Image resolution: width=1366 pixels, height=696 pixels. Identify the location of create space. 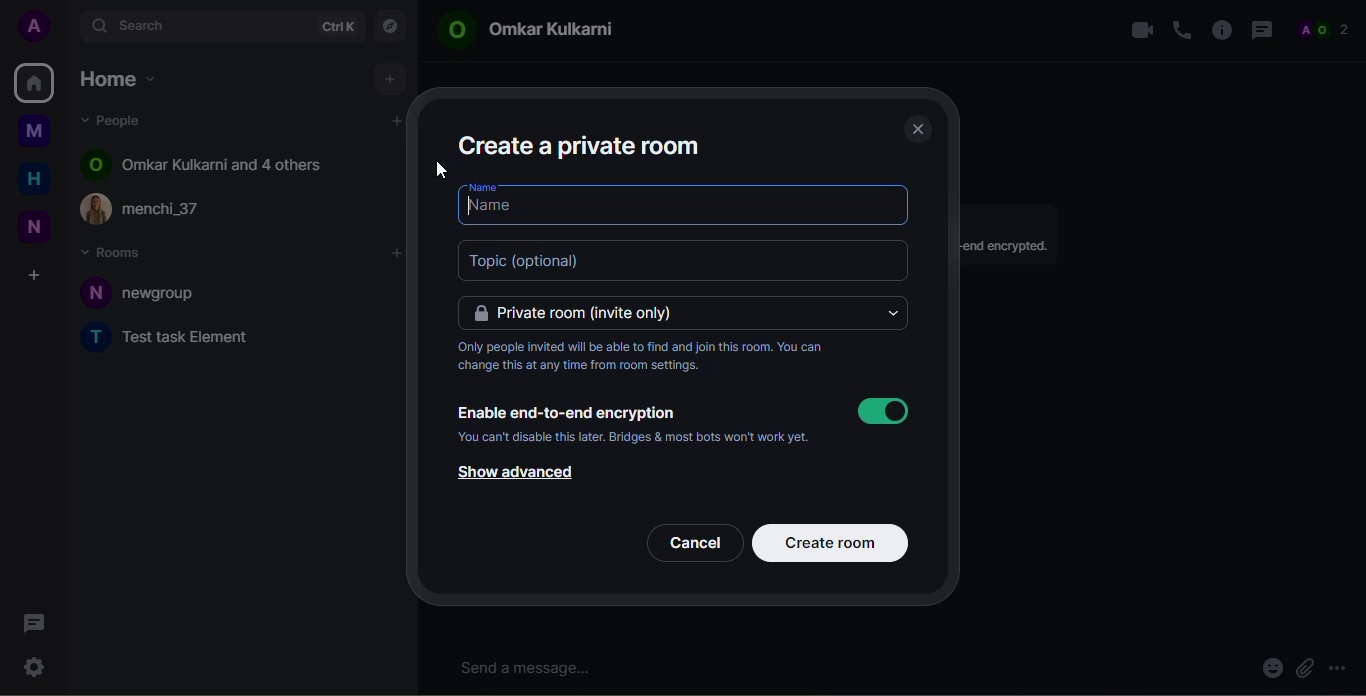
(36, 273).